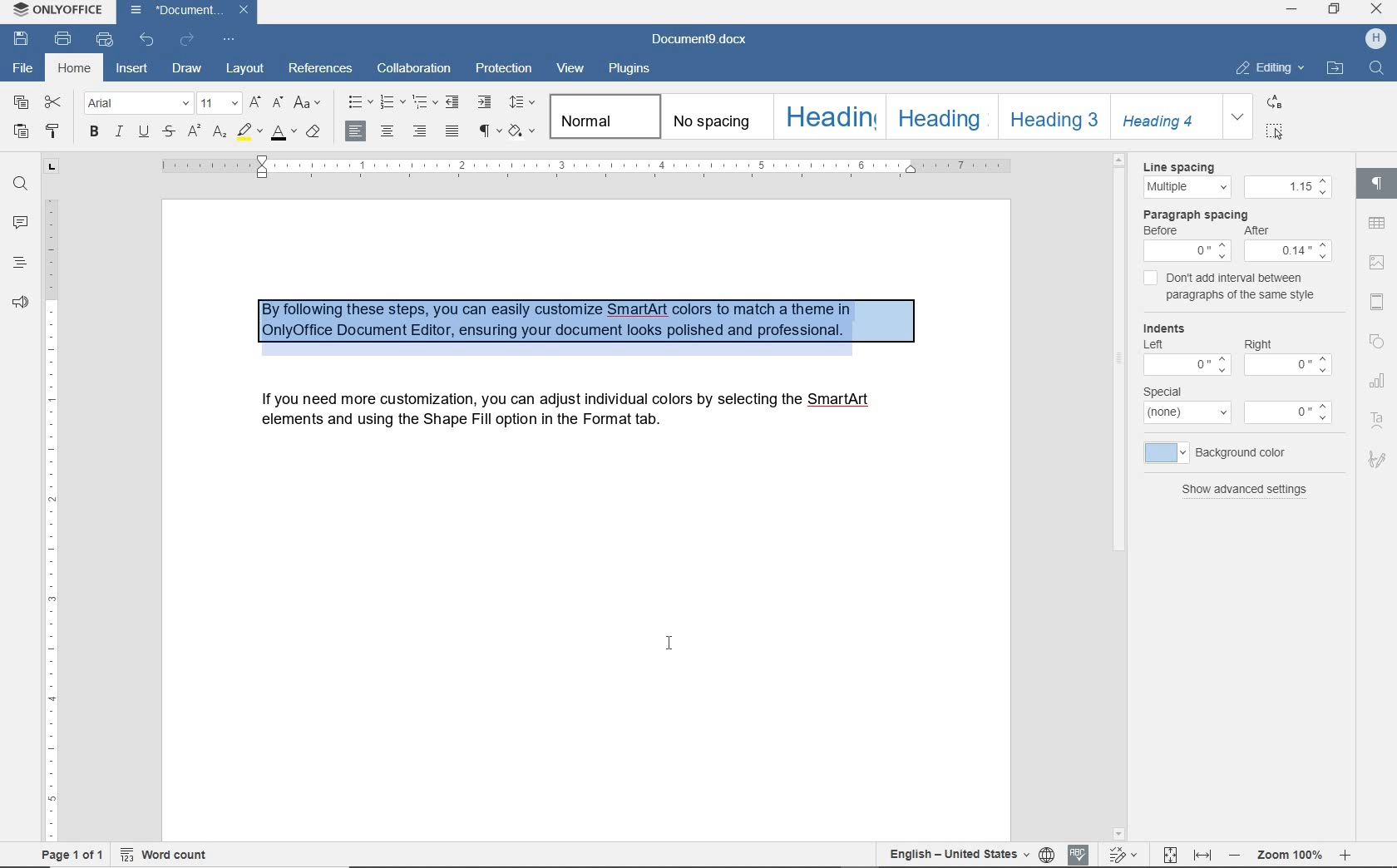 The height and width of the screenshot is (868, 1397). What do you see at coordinates (1377, 338) in the screenshot?
I see `shape` at bounding box center [1377, 338].